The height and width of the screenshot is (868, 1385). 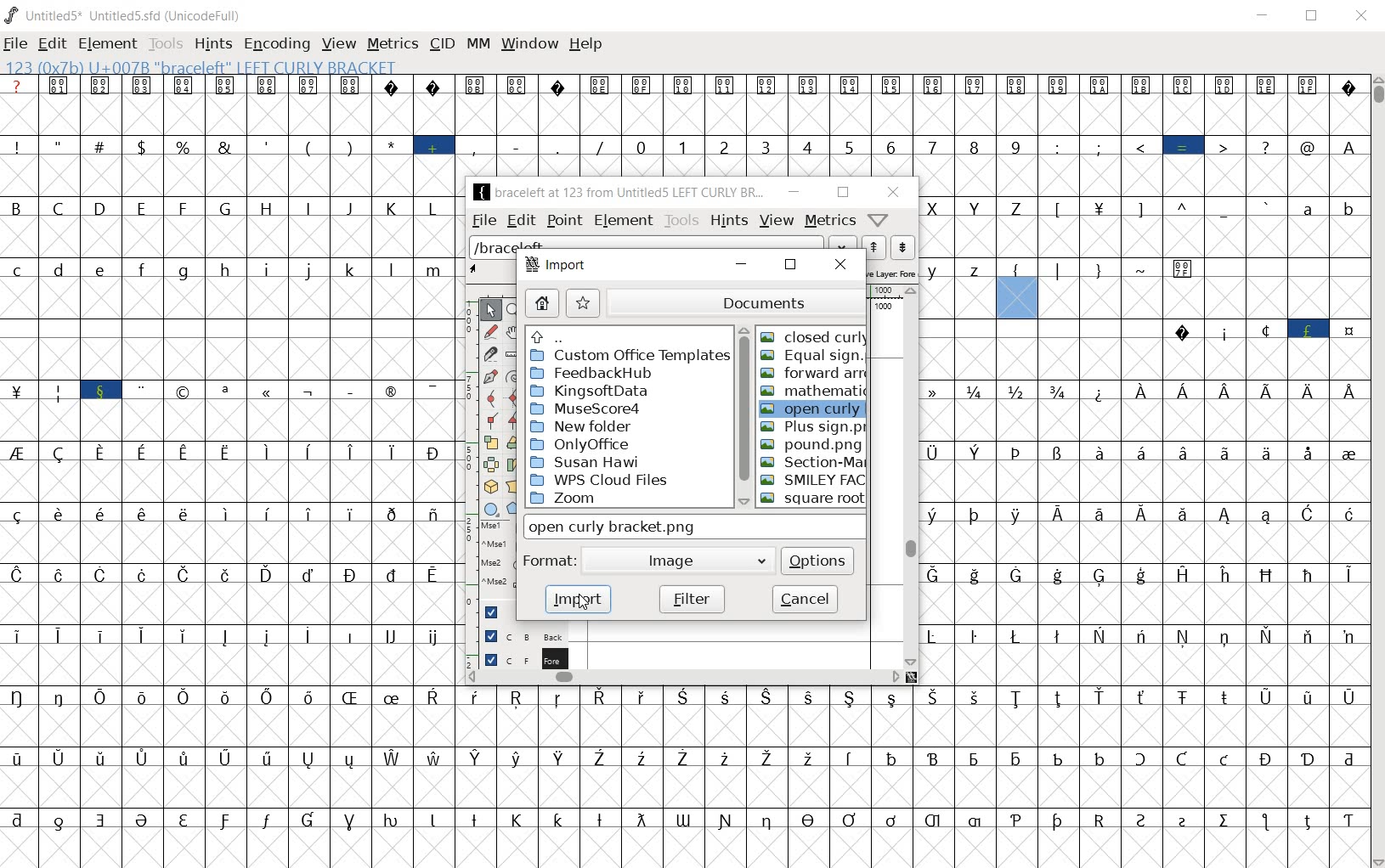 What do you see at coordinates (1377, 471) in the screenshot?
I see `scrollbar` at bounding box center [1377, 471].